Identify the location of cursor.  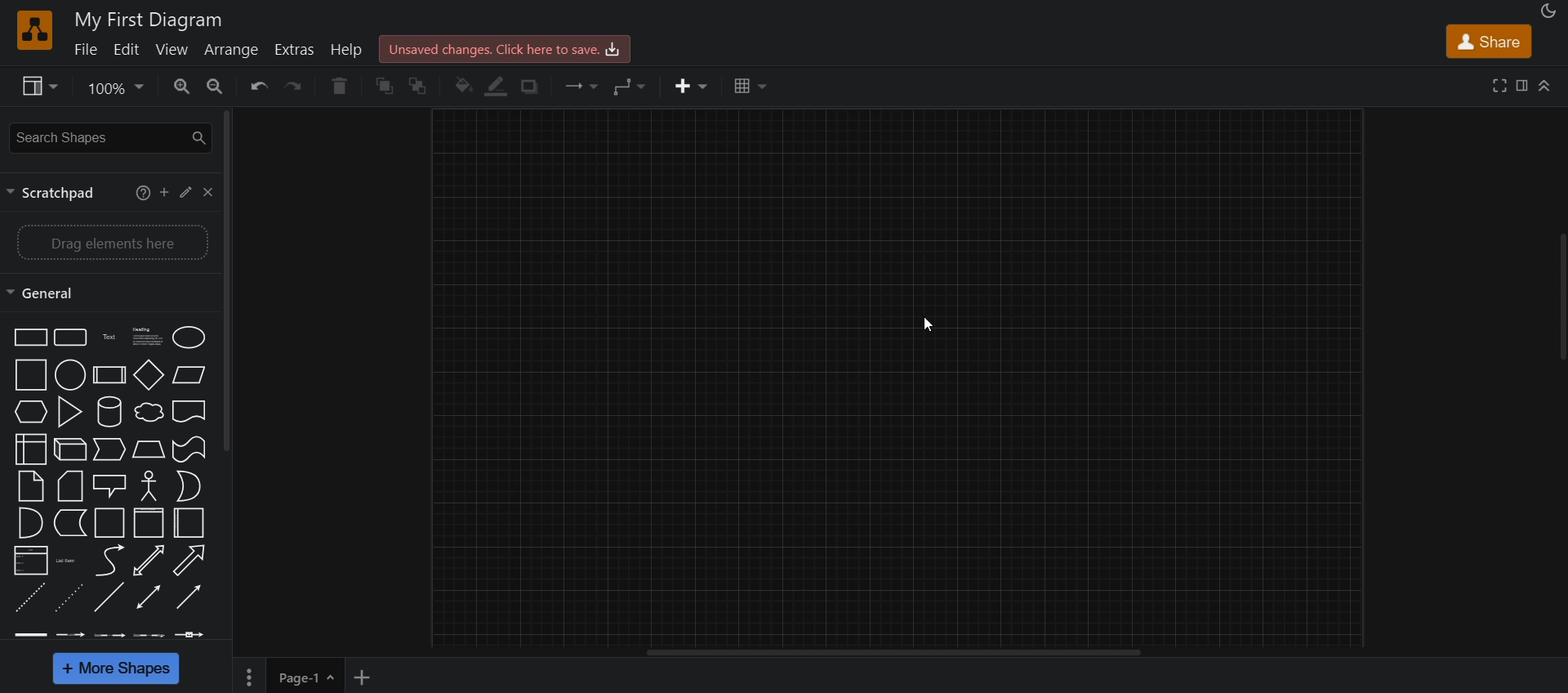
(936, 327).